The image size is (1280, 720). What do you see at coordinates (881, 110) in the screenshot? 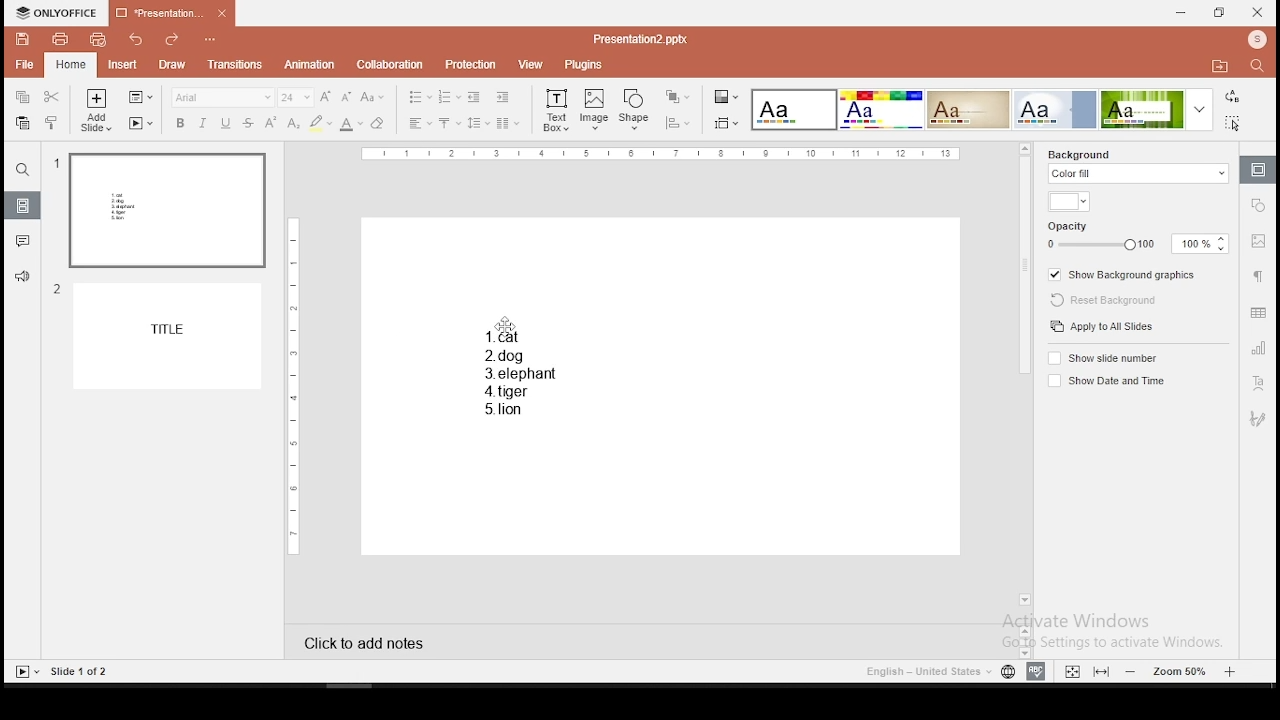
I see `theme` at bounding box center [881, 110].